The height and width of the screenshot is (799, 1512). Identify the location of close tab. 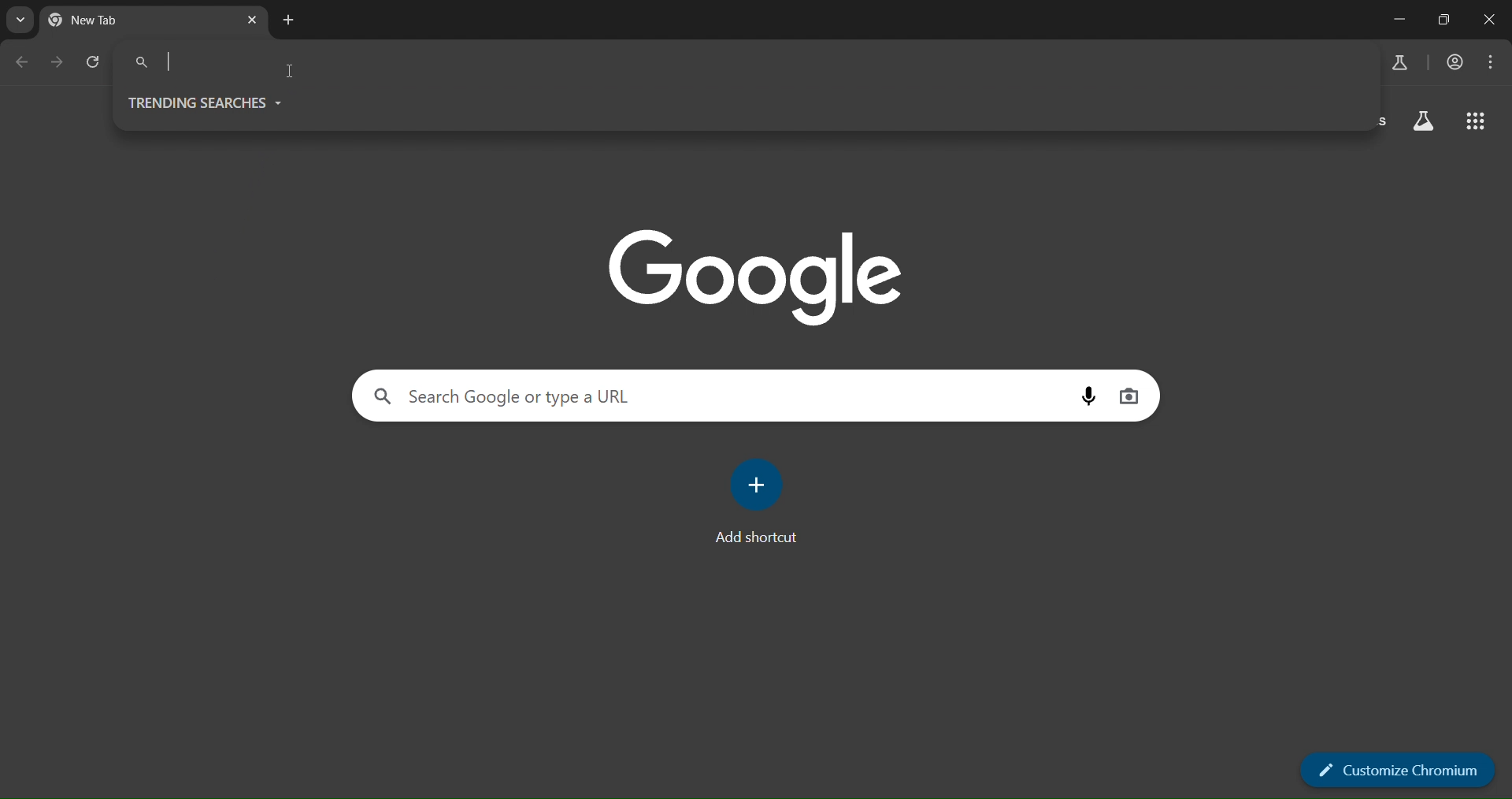
(254, 20).